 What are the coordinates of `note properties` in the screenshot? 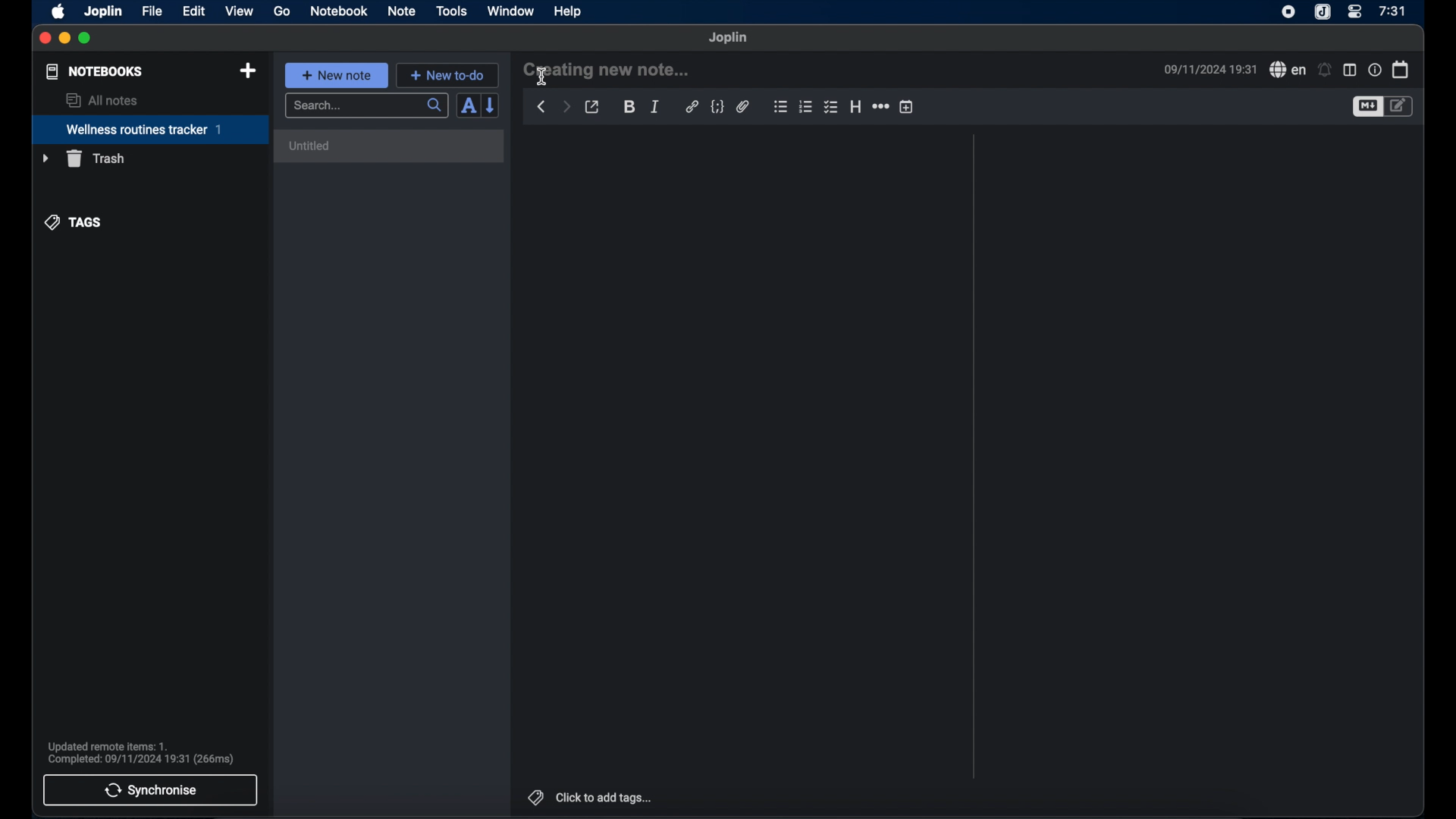 It's located at (1374, 69).